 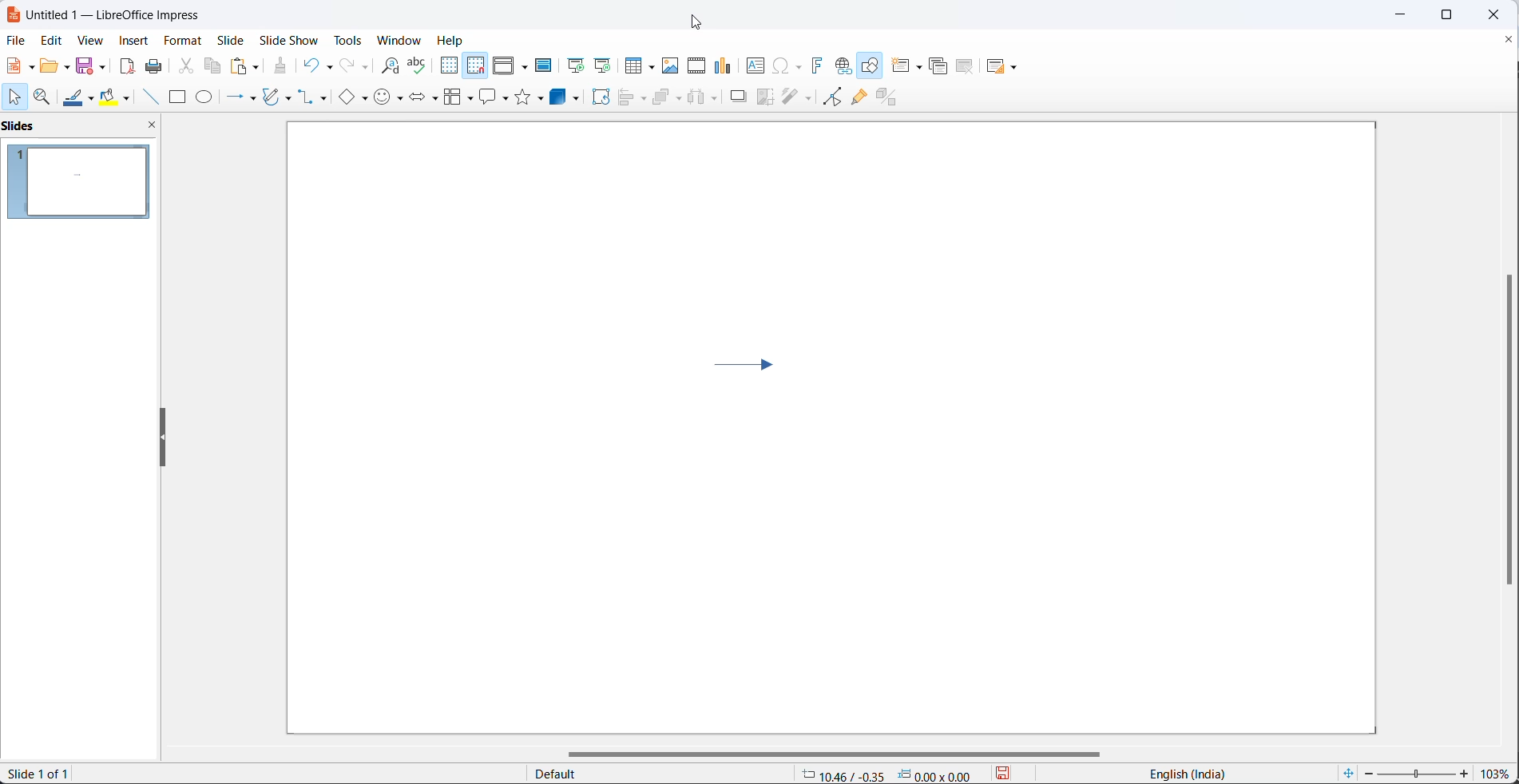 What do you see at coordinates (1499, 14) in the screenshot?
I see `close` at bounding box center [1499, 14].